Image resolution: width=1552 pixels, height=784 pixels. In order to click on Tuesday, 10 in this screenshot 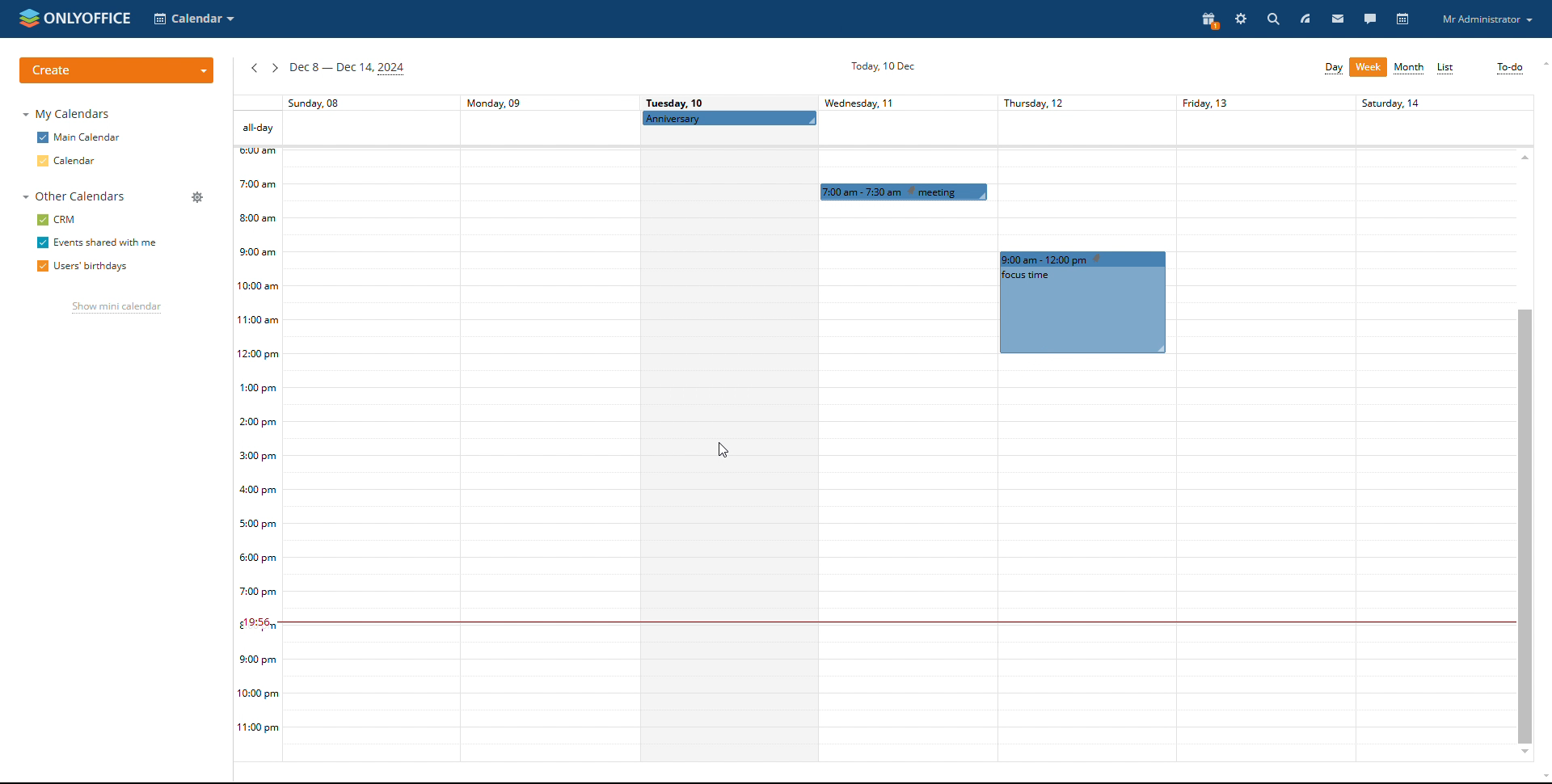, I will do `click(677, 102)`.